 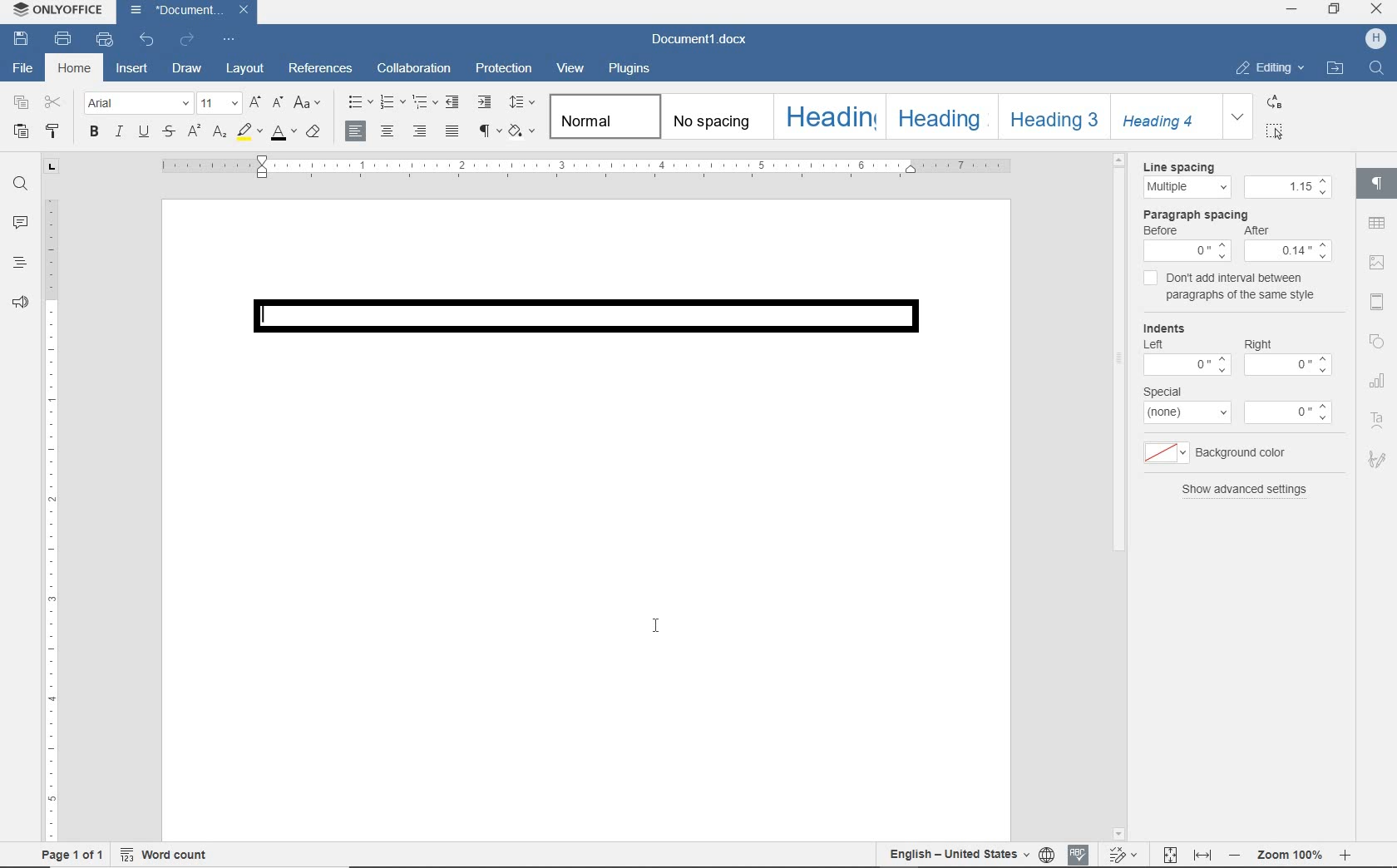 I want to click on Shapes, so click(x=1380, y=345).